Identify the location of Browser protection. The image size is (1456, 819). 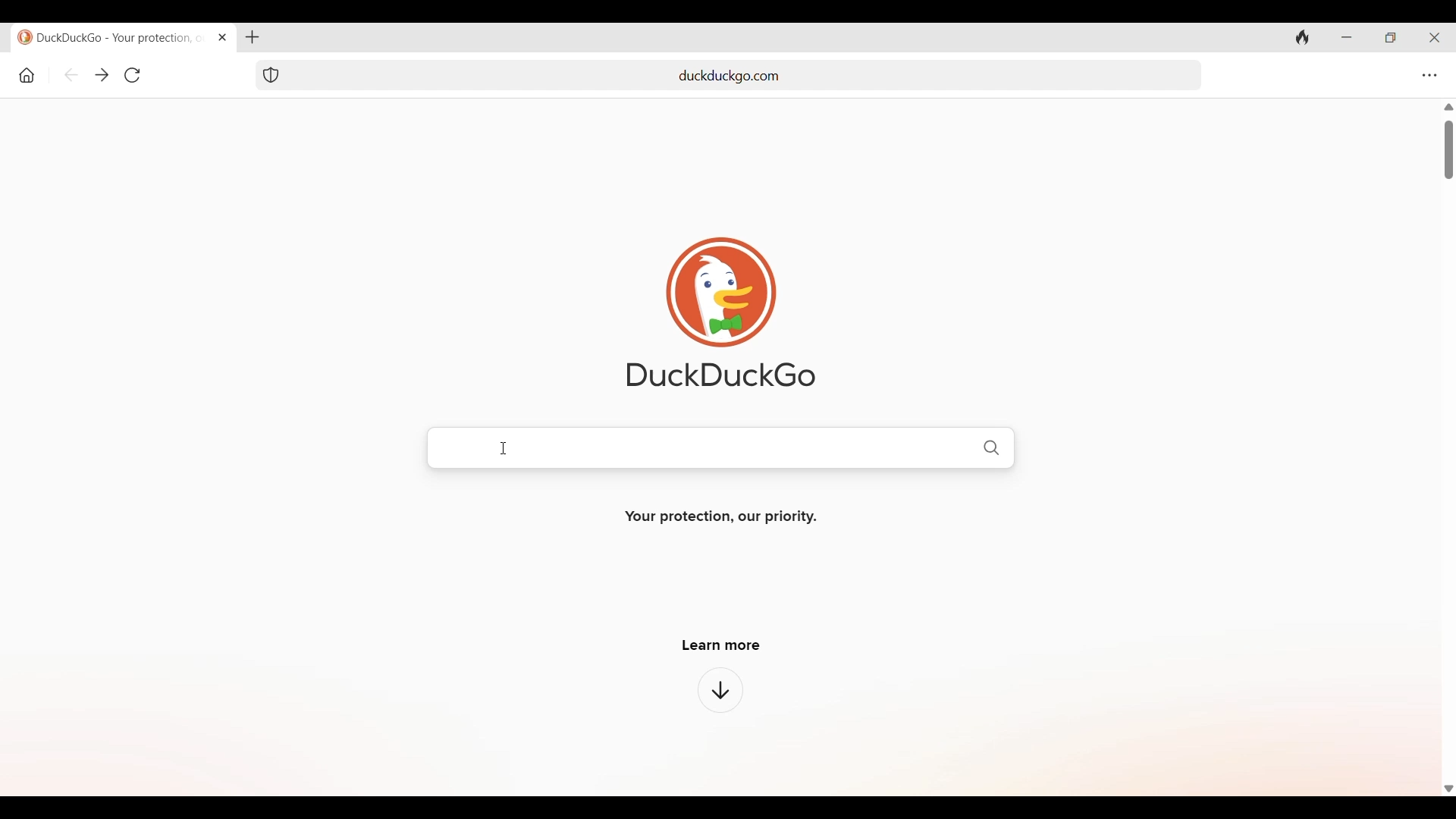
(271, 74).